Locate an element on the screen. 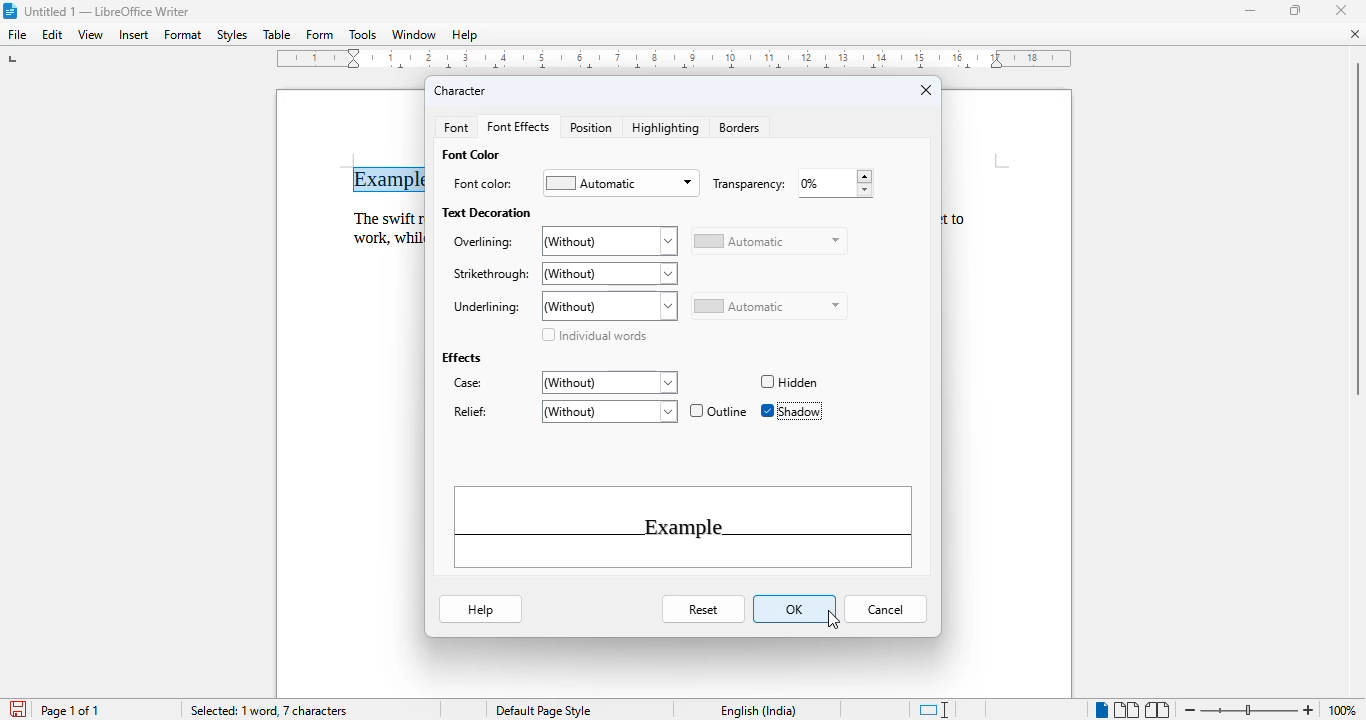 This screenshot has width=1366, height=720. The swift work, whi is located at coordinates (382, 227).